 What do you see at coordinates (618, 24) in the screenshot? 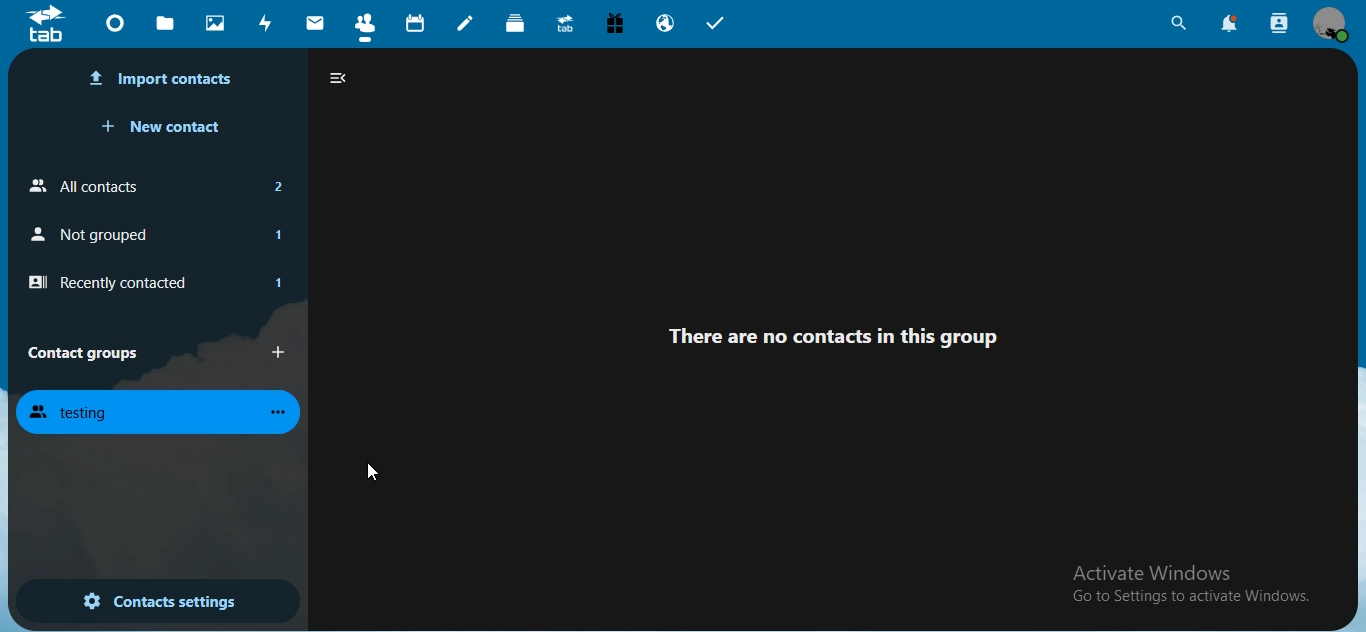
I see `free trial` at bounding box center [618, 24].